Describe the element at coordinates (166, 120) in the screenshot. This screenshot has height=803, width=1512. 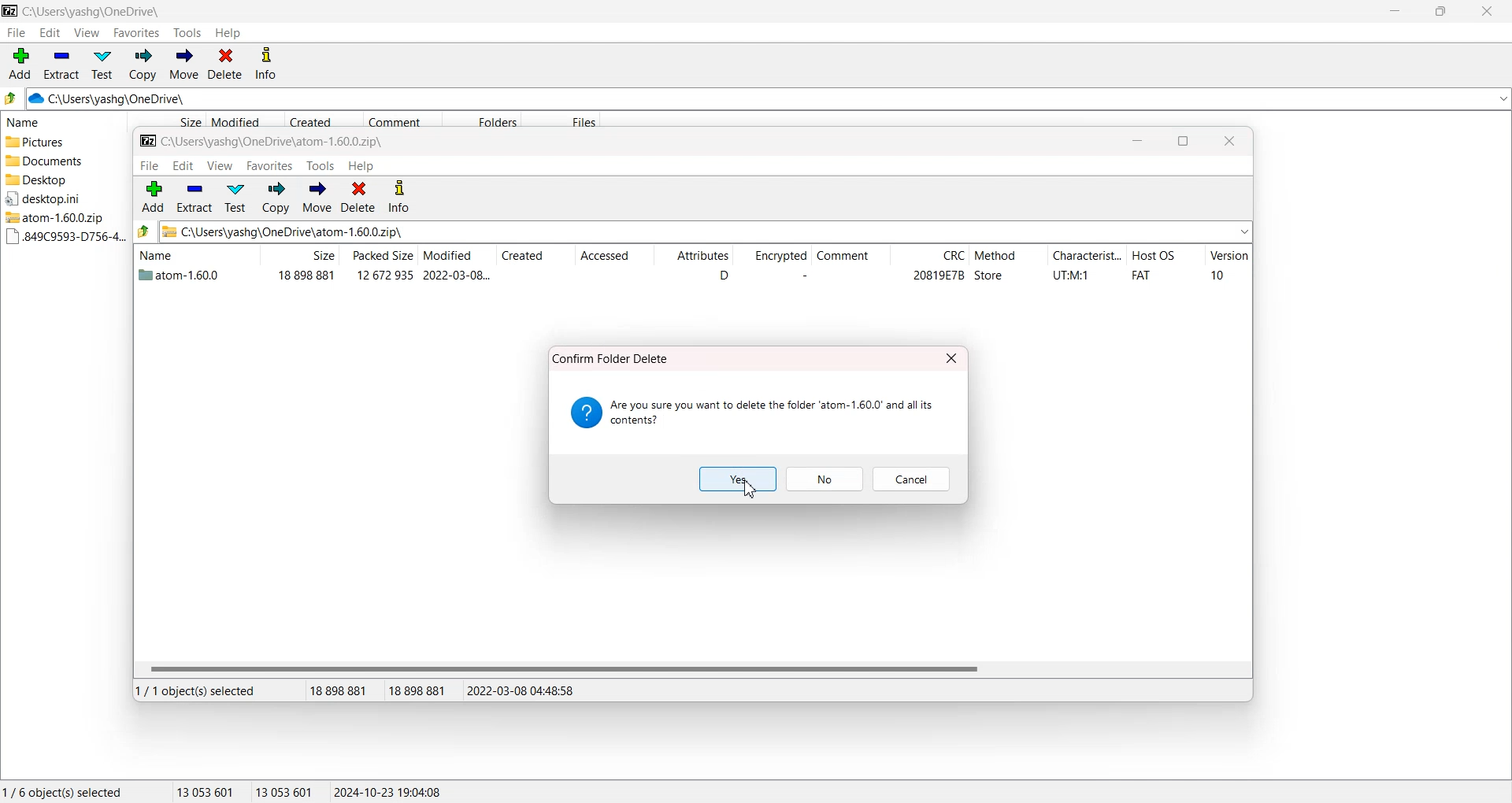
I see `Size` at that location.